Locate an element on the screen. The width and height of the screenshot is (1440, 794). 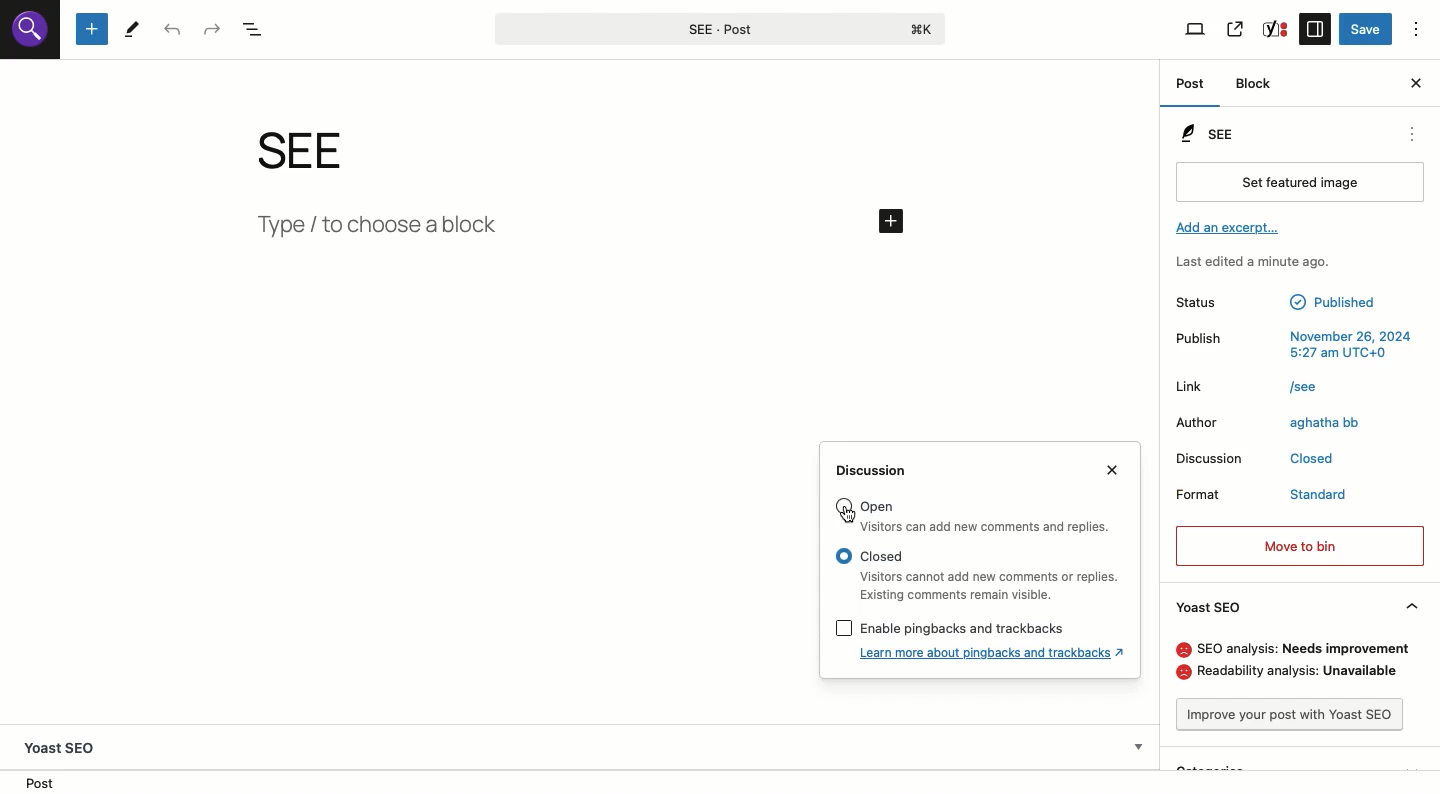
SEE is located at coordinates (1213, 132).